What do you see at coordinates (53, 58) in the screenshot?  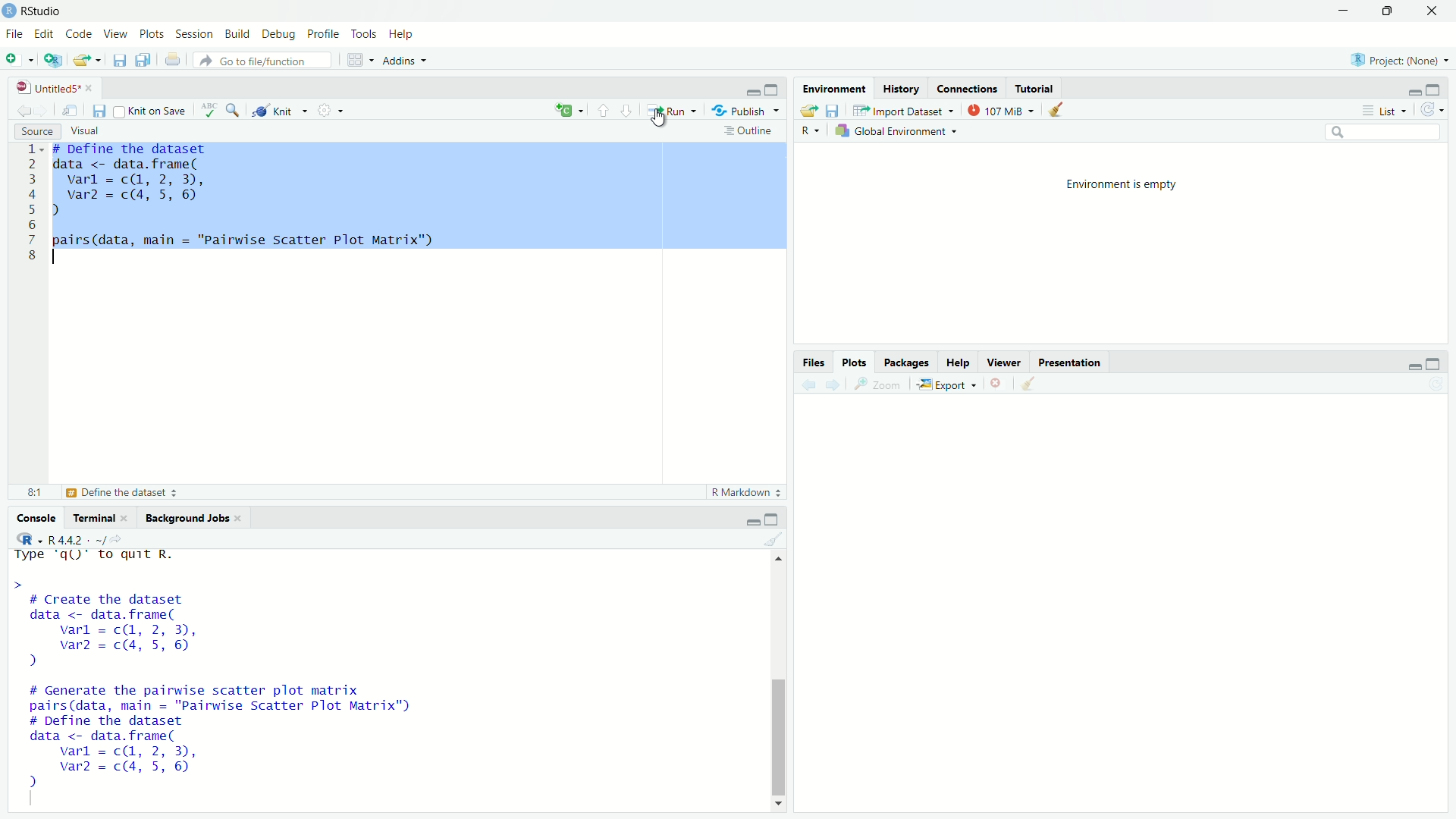 I see `Create a project` at bounding box center [53, 58].